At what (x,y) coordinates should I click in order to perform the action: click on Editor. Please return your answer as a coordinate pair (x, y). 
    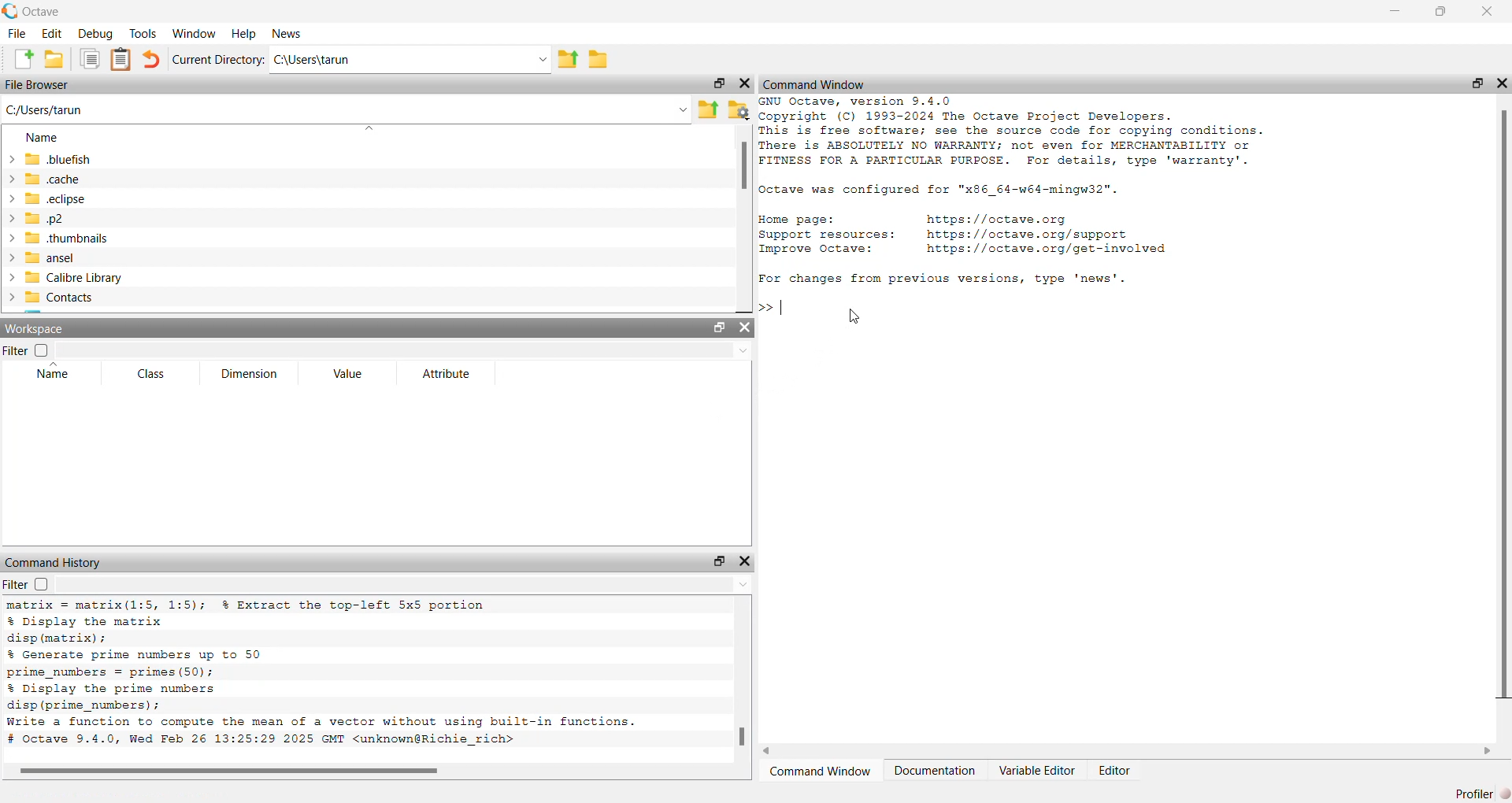
    Looking at the image, I should click on (1117, 771).